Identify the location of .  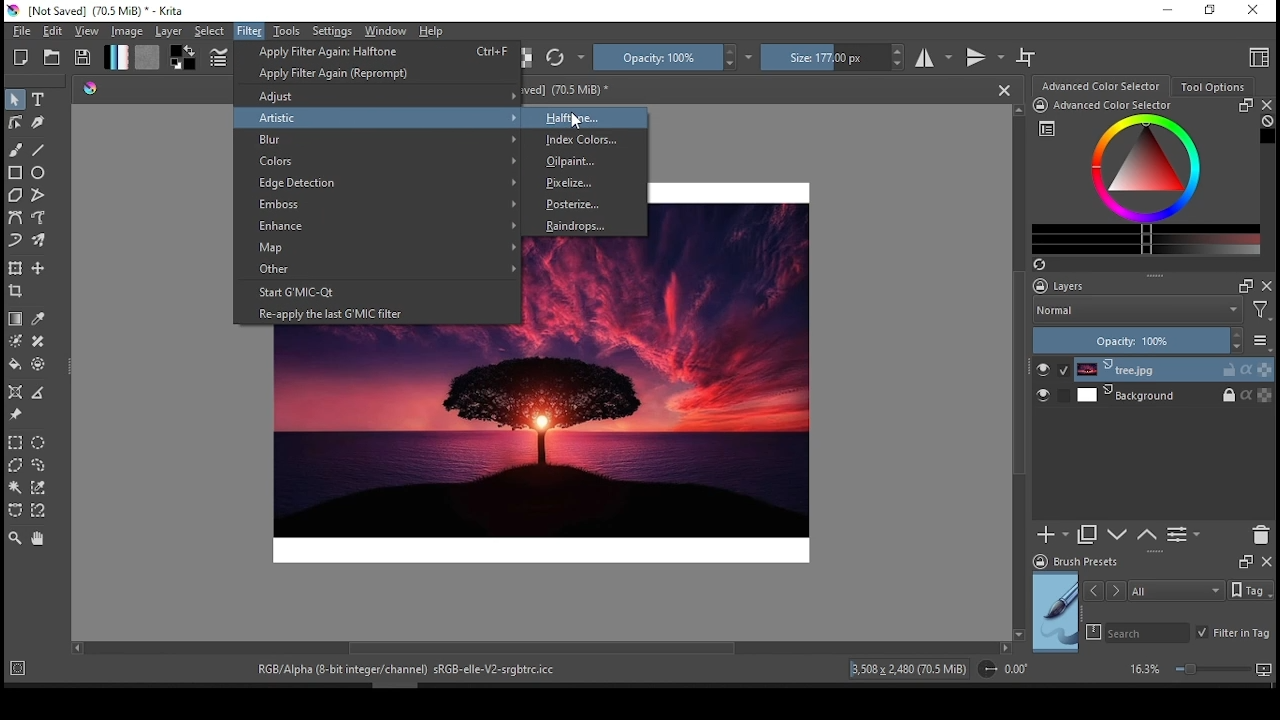
(1031, 58).